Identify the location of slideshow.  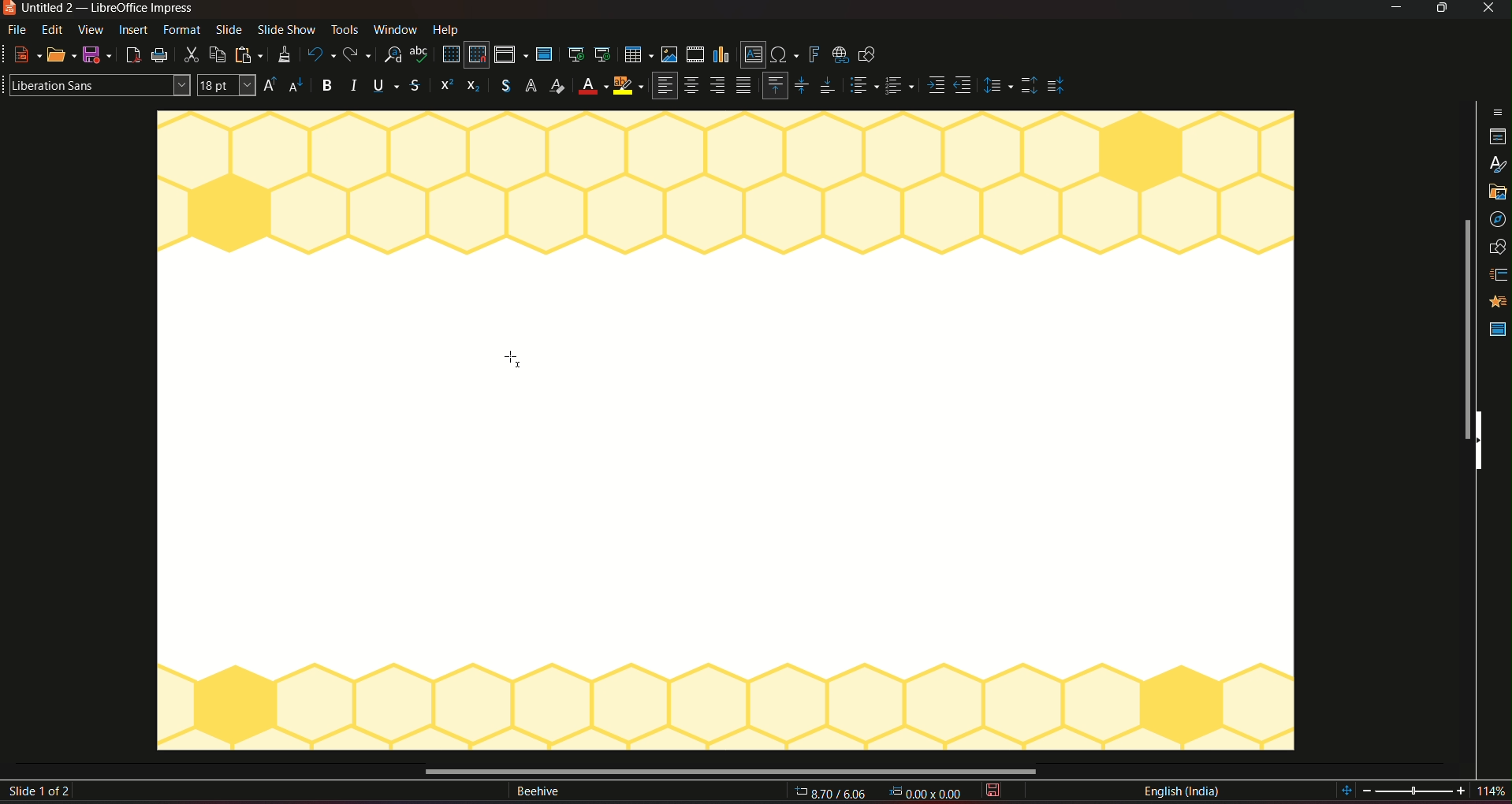
(286, 31).